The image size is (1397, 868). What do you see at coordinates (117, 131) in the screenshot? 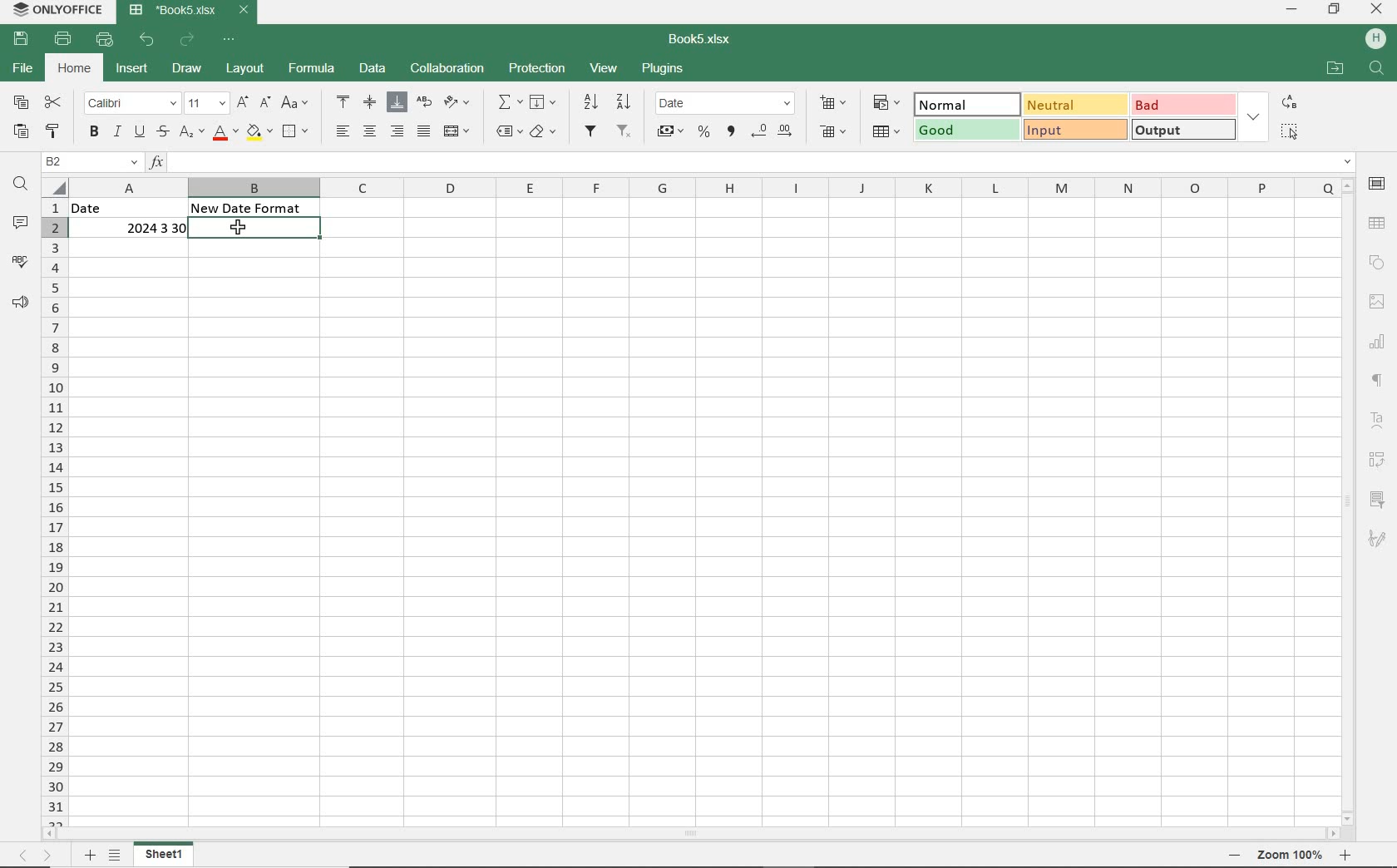
I see `ITALIC` at bounding box center [117, 131].